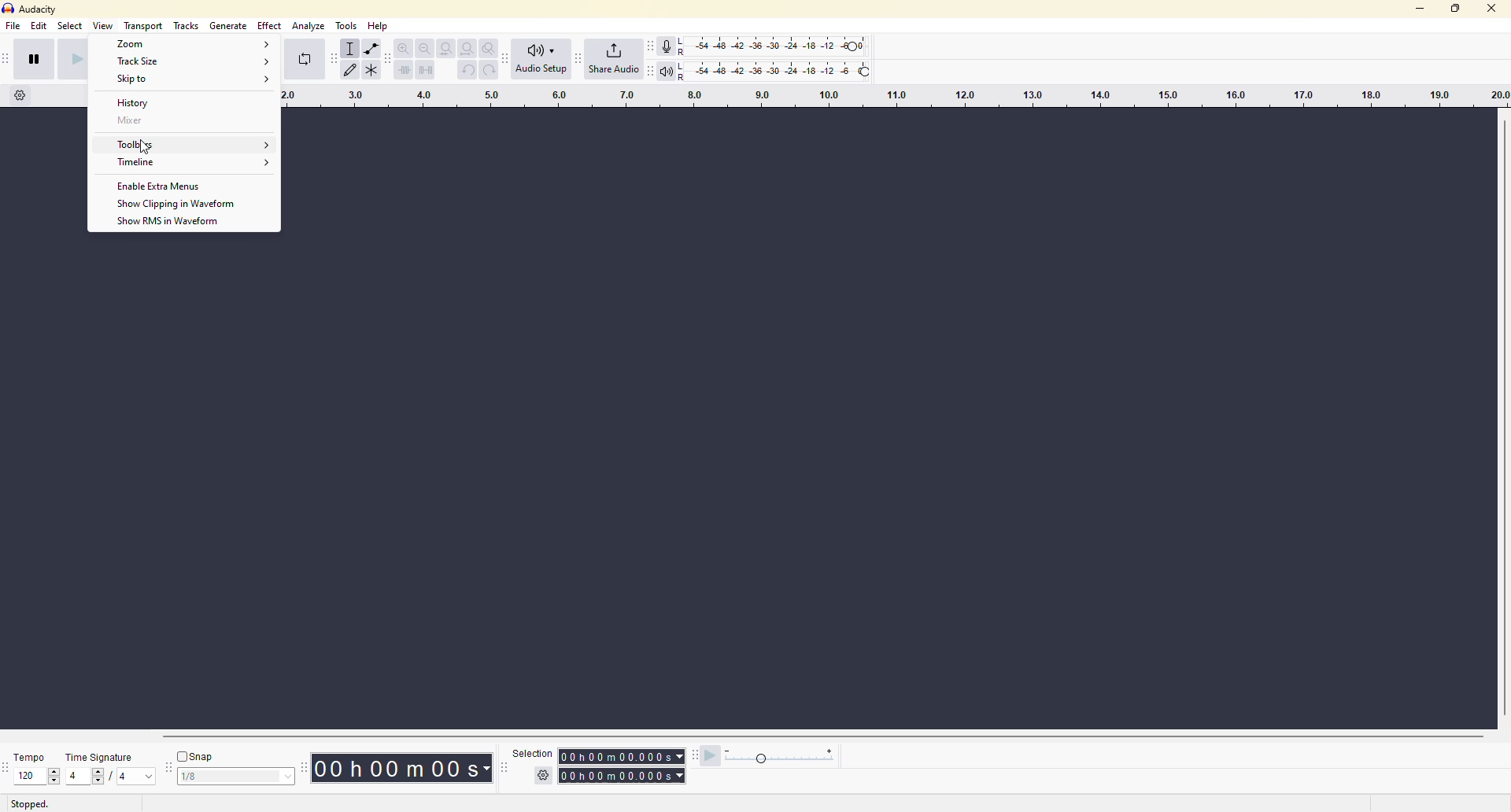 The image size is (1511, 812). Describe the element at coordinates (98, 776) in the screenshot. I see `values` at that location.